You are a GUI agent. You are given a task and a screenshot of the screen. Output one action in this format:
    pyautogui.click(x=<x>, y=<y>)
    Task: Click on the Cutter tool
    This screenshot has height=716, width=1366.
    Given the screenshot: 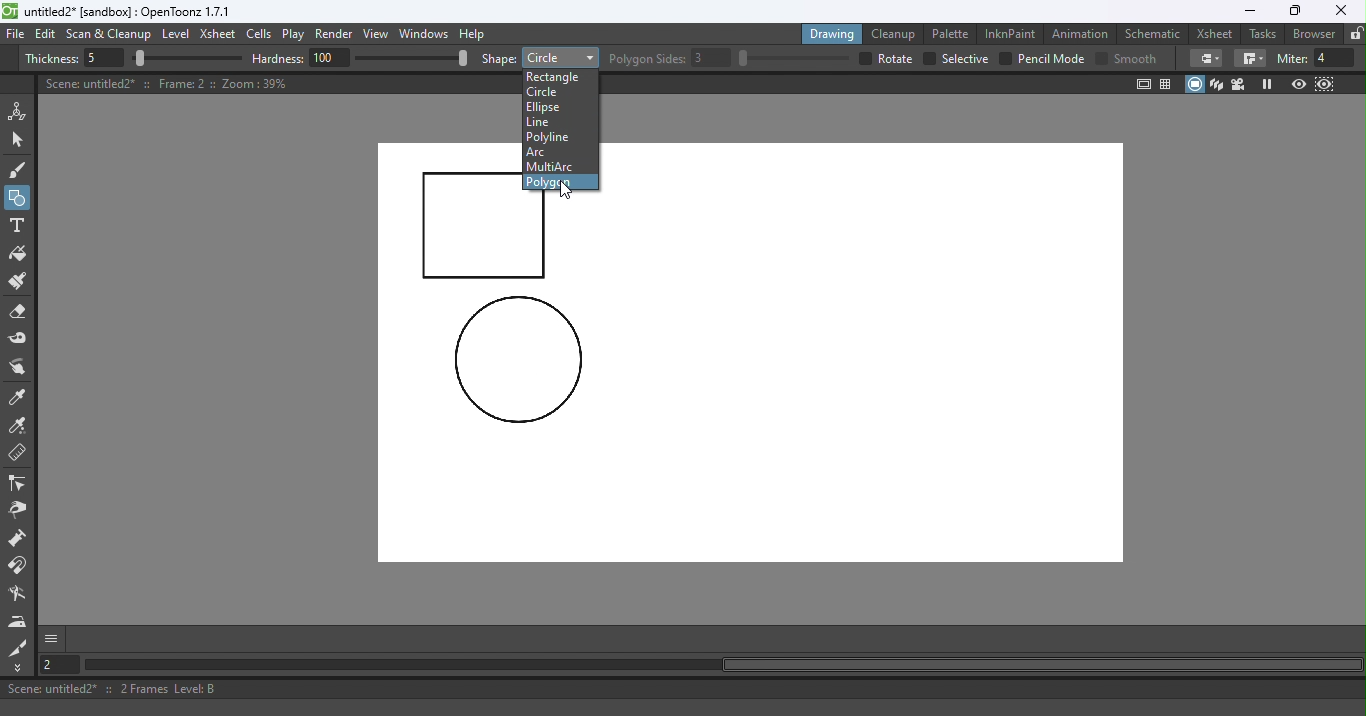 What is the action you would take?
    pyautogui.click(x=18, y=647)
    